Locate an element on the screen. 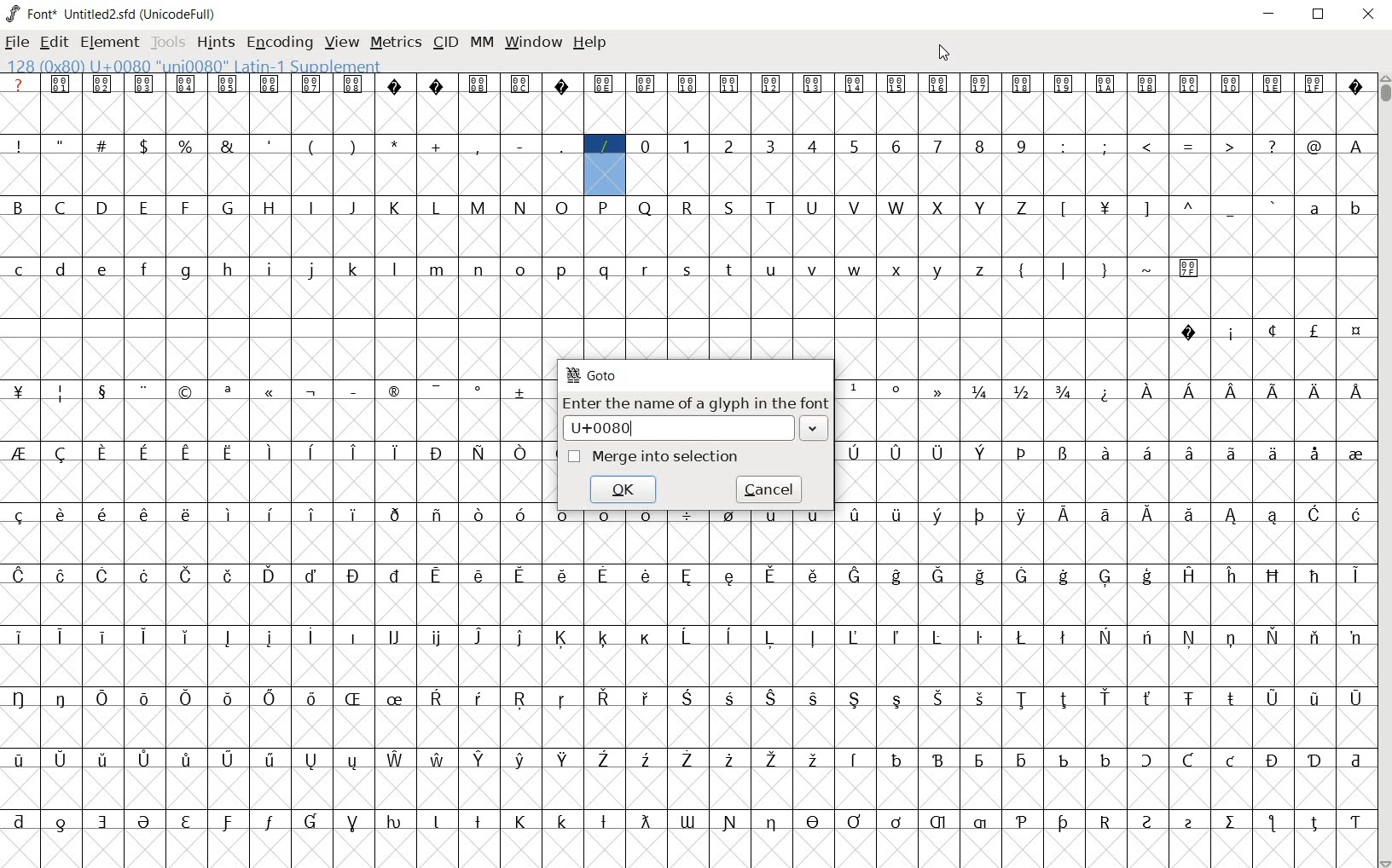 The height and width of the screenshot is (868, 1392). glyph is located at coordinates (309, 636).